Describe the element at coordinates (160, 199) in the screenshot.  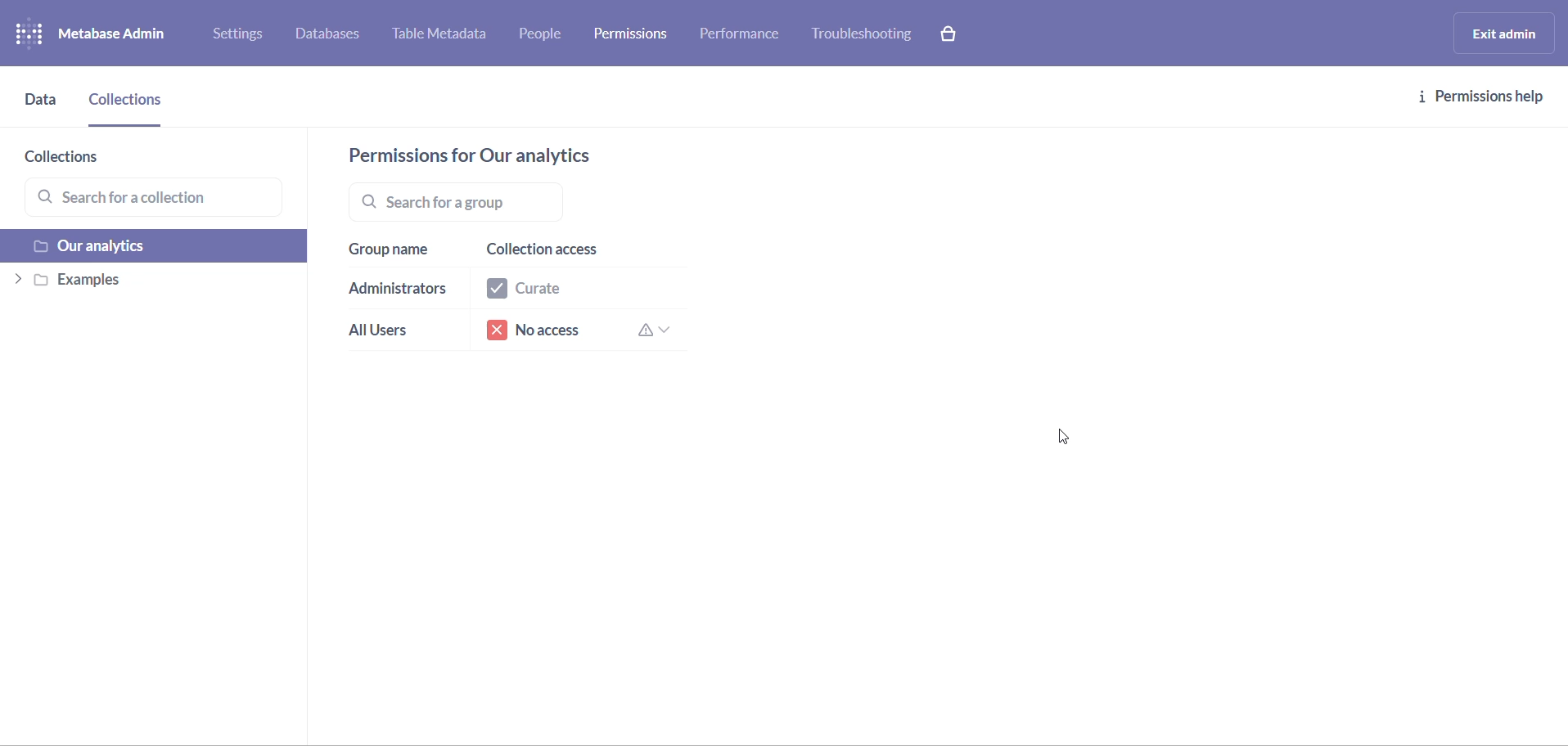
I see `search bar` at that location.